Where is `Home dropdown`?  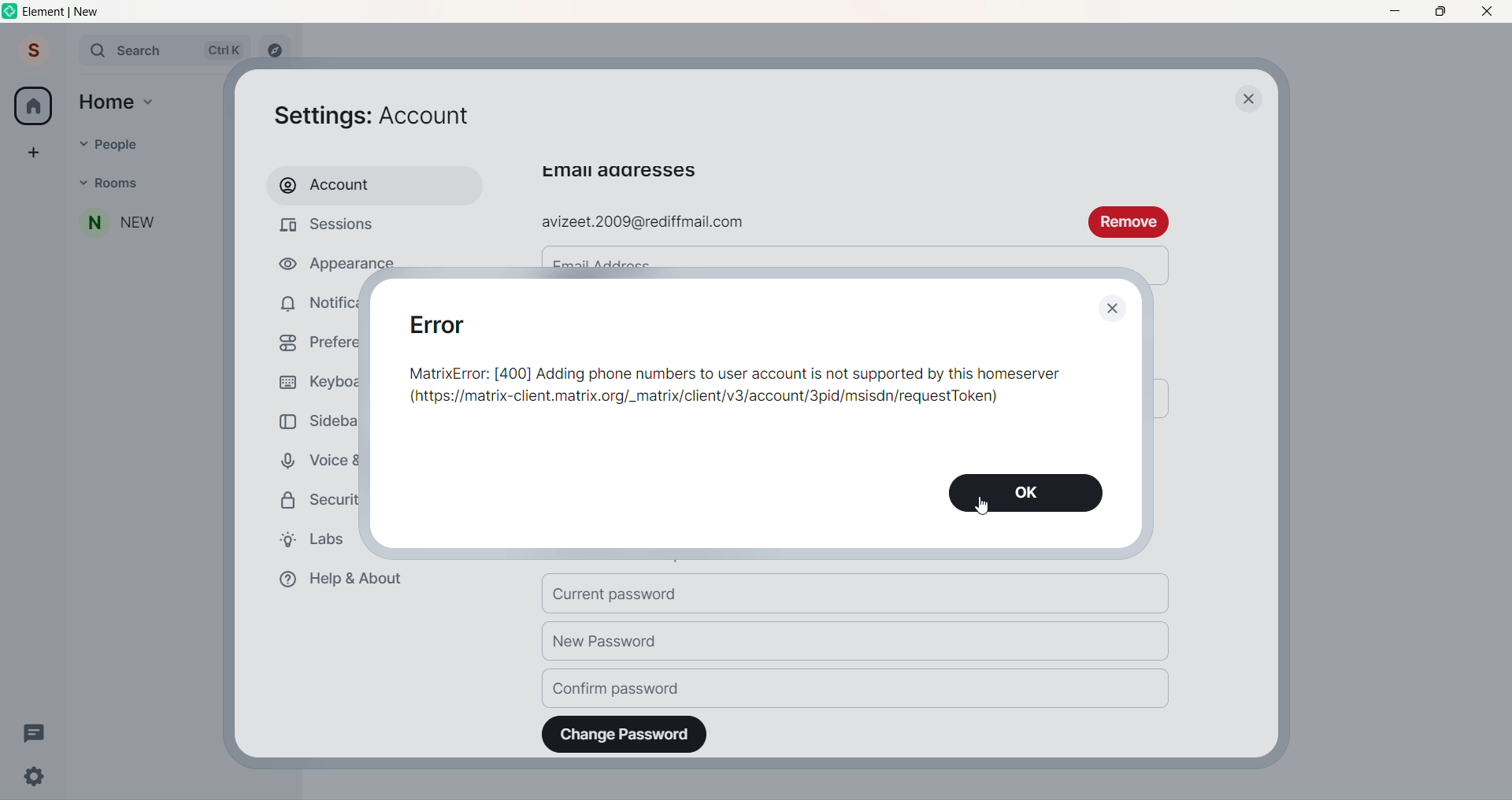 Home dropdown is located at coordinates (150, 100).